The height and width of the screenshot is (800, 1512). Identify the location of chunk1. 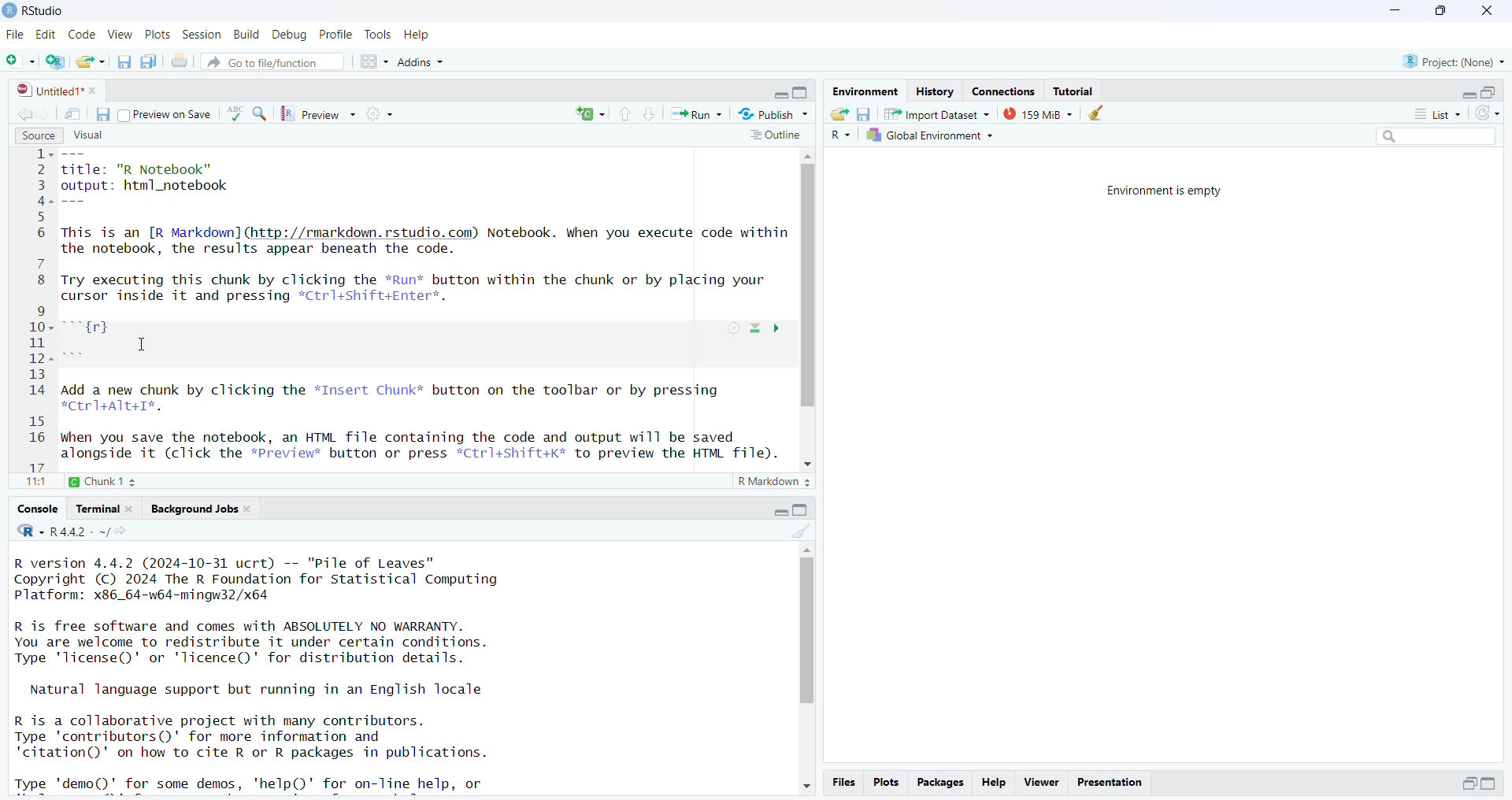
(112, 480).